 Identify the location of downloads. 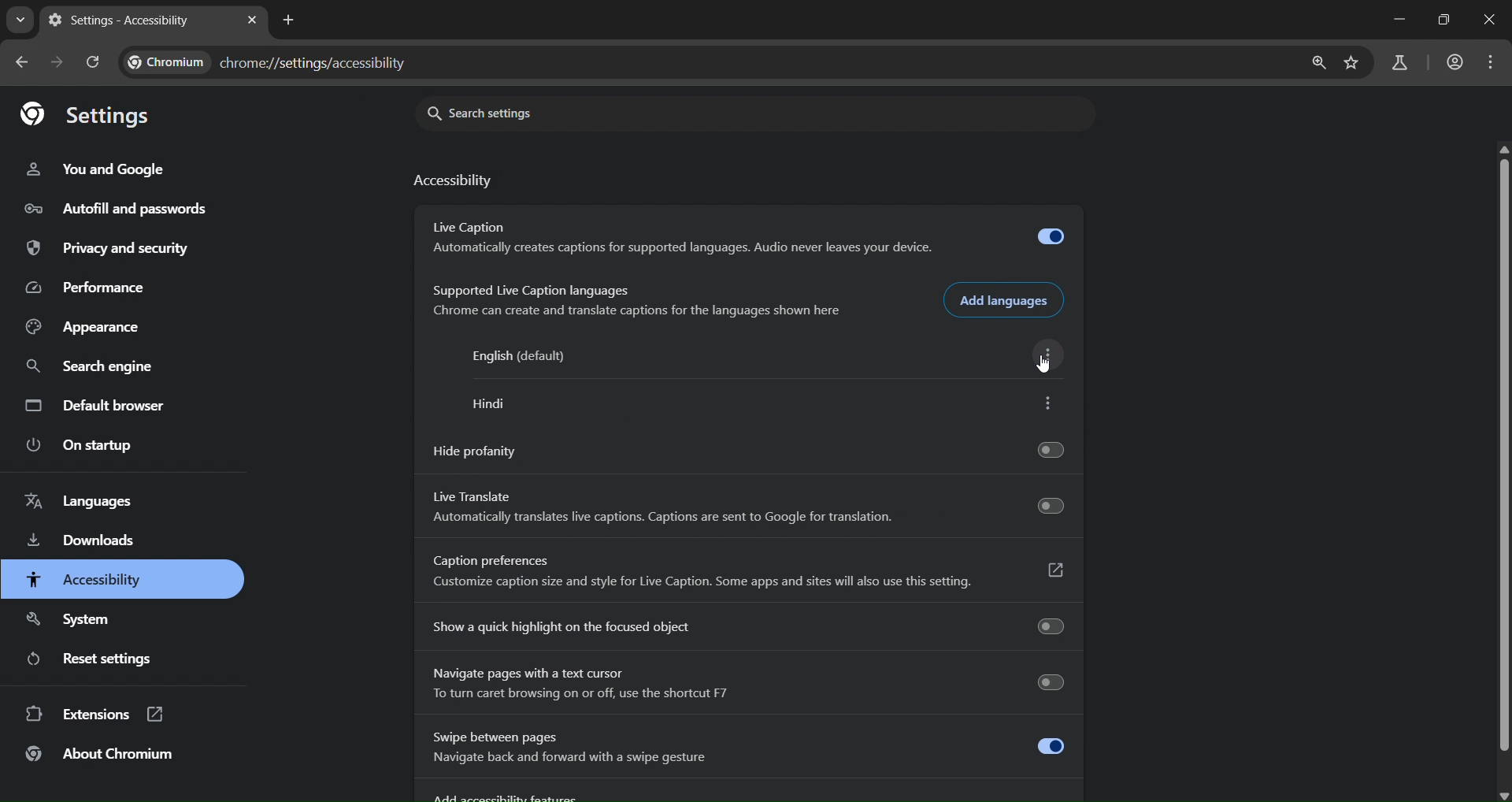
(82, 539).